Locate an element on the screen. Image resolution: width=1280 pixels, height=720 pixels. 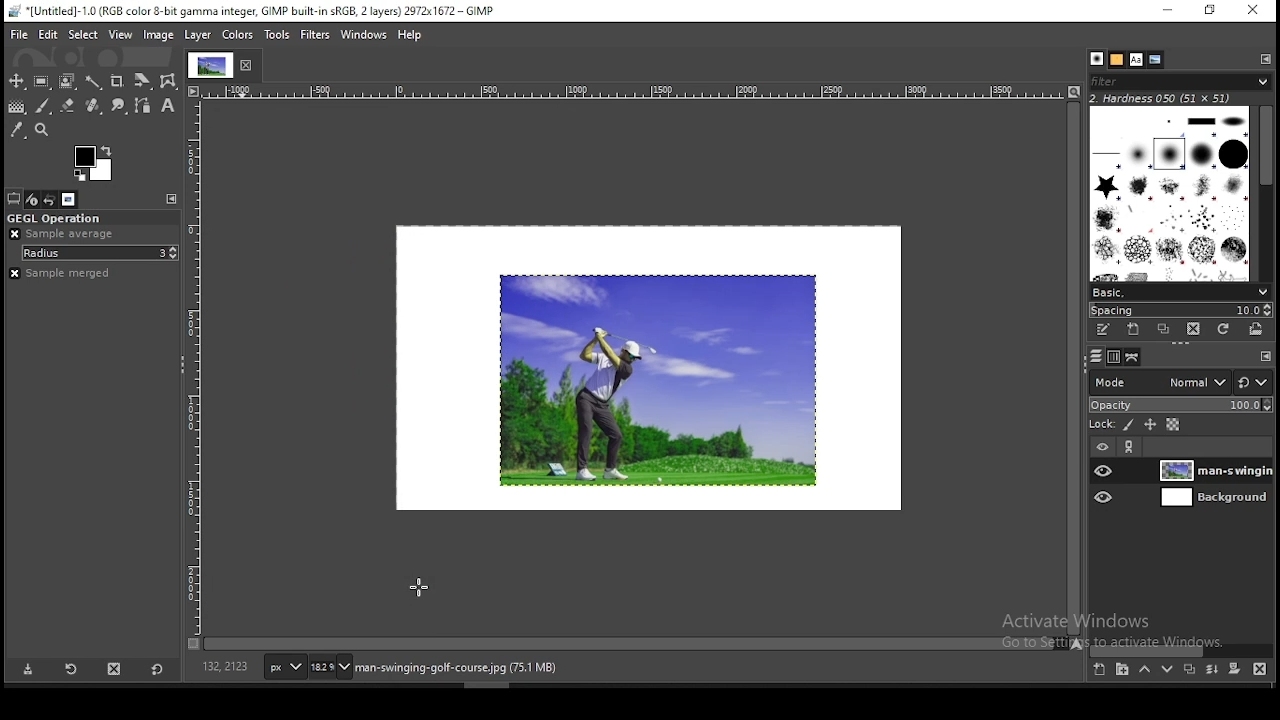
foreground select tool is located at coordinates (66, 81).